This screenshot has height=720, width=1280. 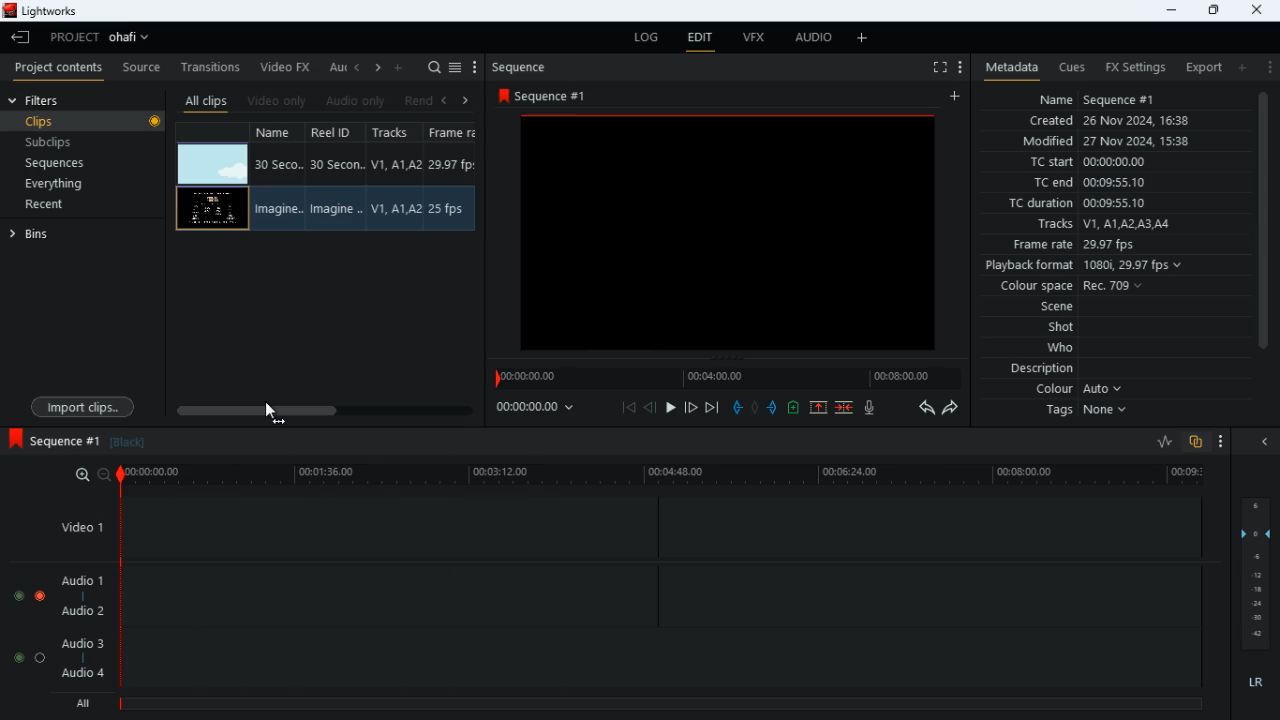 I want to click on black, so click(x=128, y=443).